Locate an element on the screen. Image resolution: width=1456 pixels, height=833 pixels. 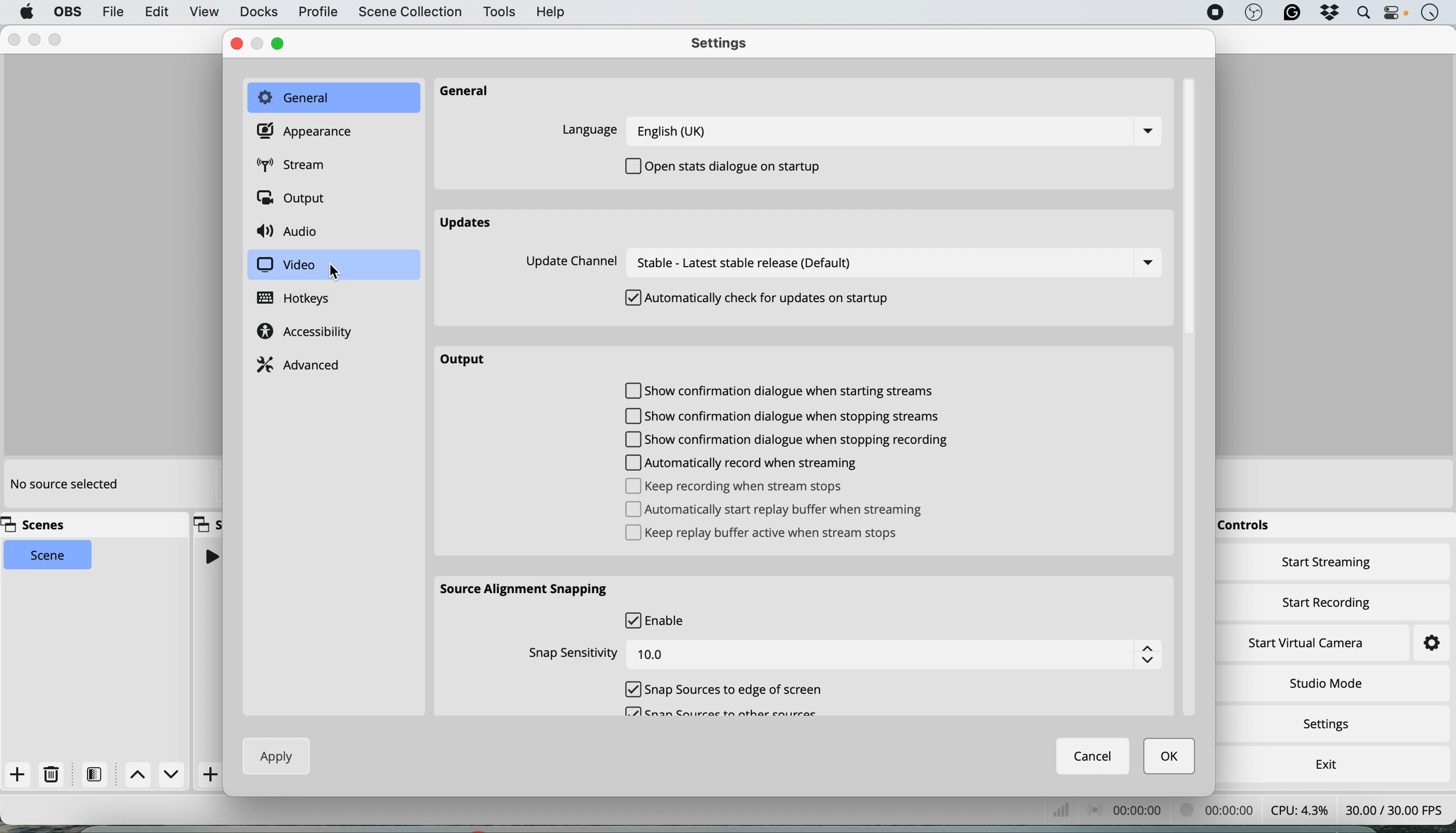
language is located at coordinates (864, 130).